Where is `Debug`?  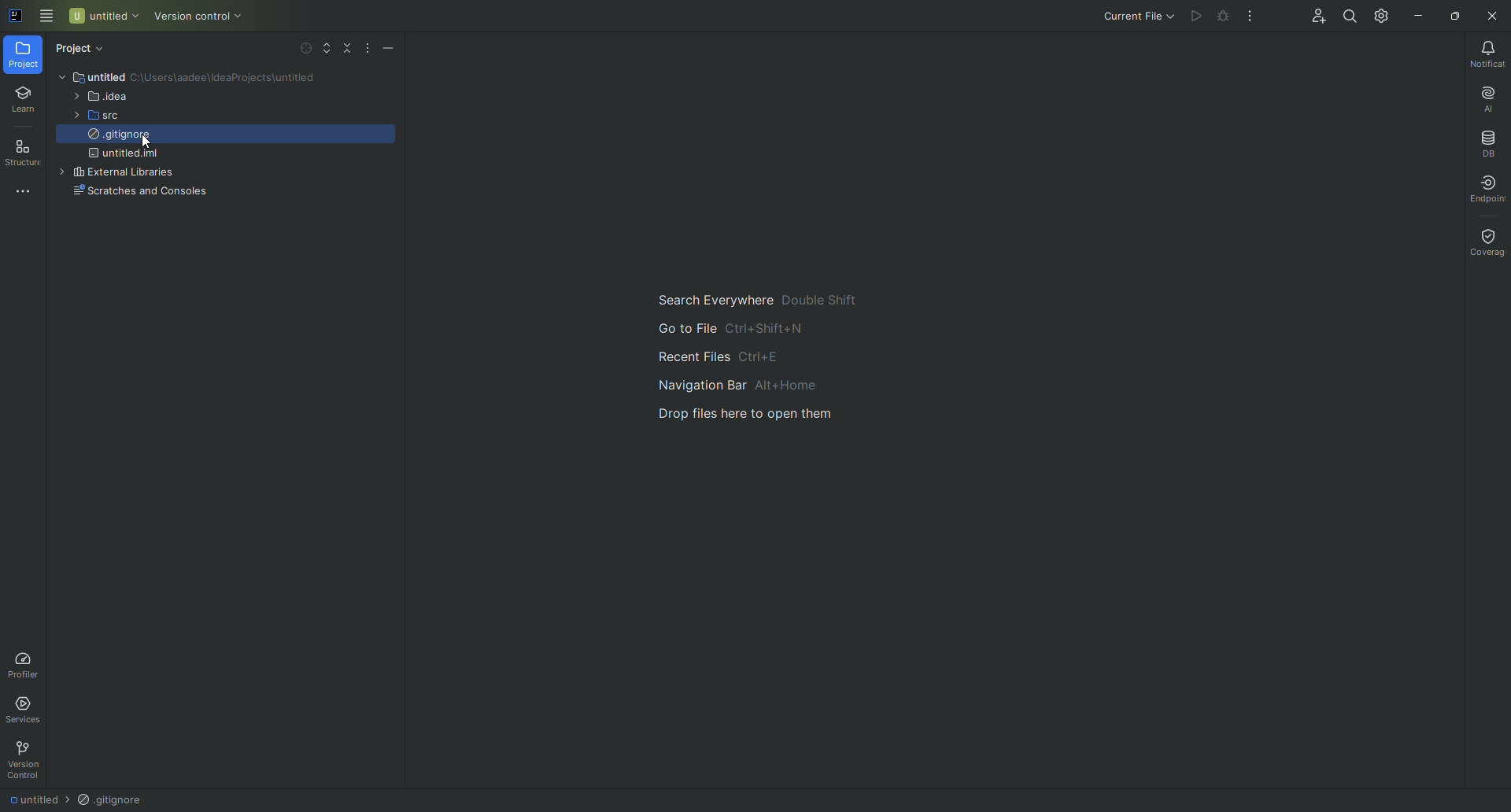 Debug is located at coordinates (1222, 17).